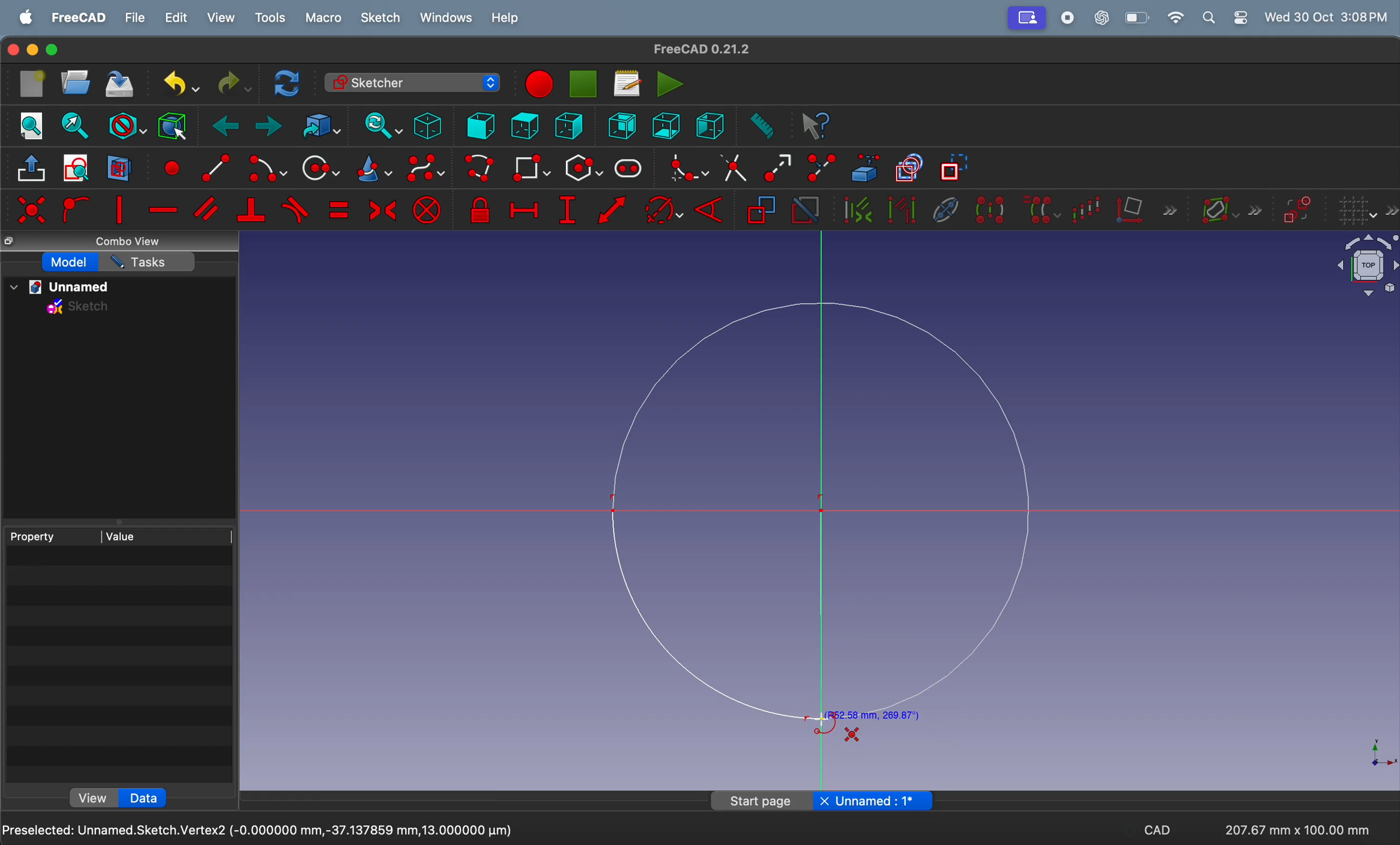  What do you see at coordinates (531, 168) in the screenshot?
I see `create rectangle` at bounding box center [531, 168].